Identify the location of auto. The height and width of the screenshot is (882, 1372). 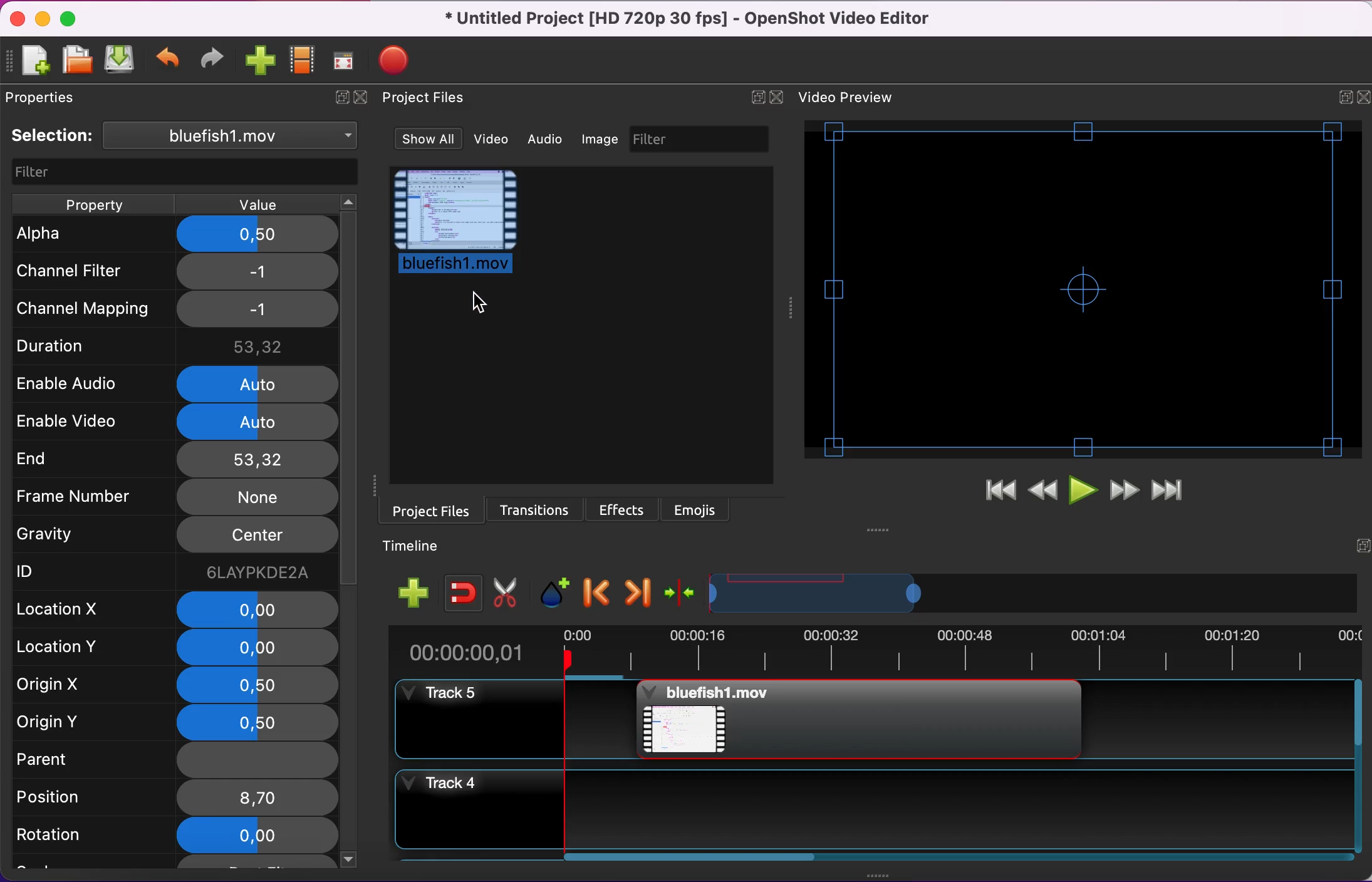
(257, 422).